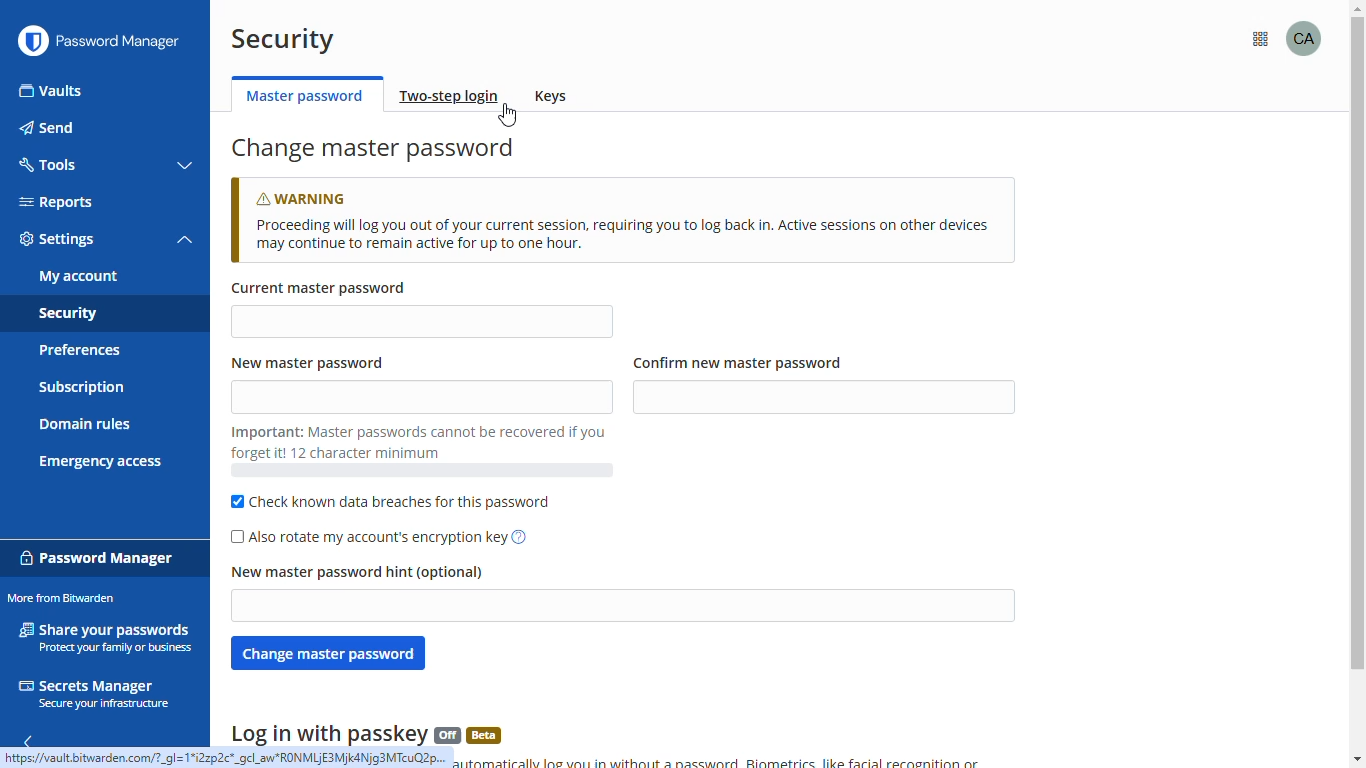 The width and height of the screenshot is (1366, 768). Describe the element at coordinates (446, 735) in the screenshot. I see `off` at that location.